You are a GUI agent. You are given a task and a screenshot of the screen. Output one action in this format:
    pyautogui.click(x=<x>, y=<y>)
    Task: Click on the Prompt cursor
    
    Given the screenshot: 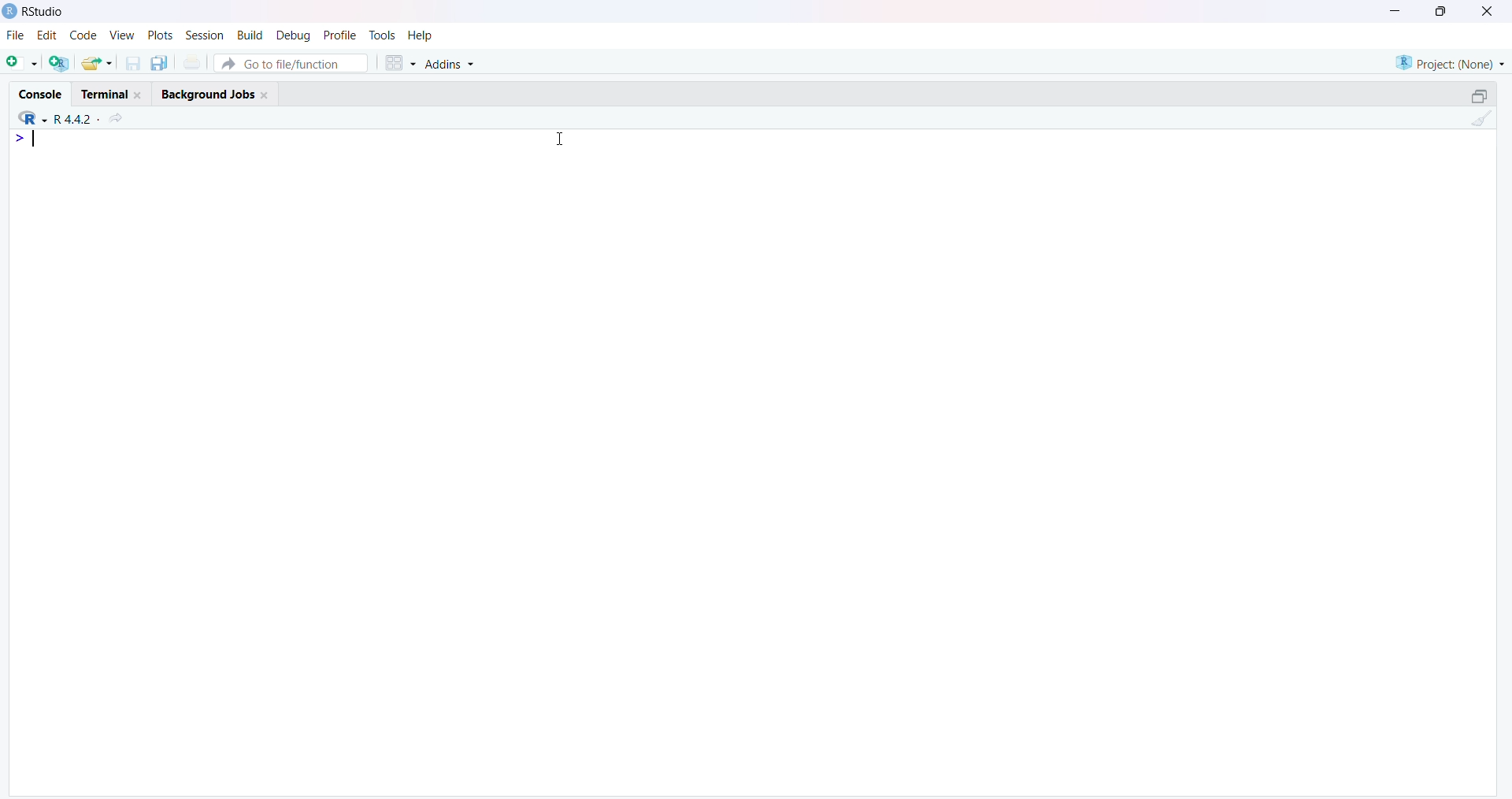 What is the action you would take?
    pyautogui.click(x=24, y=141)
    